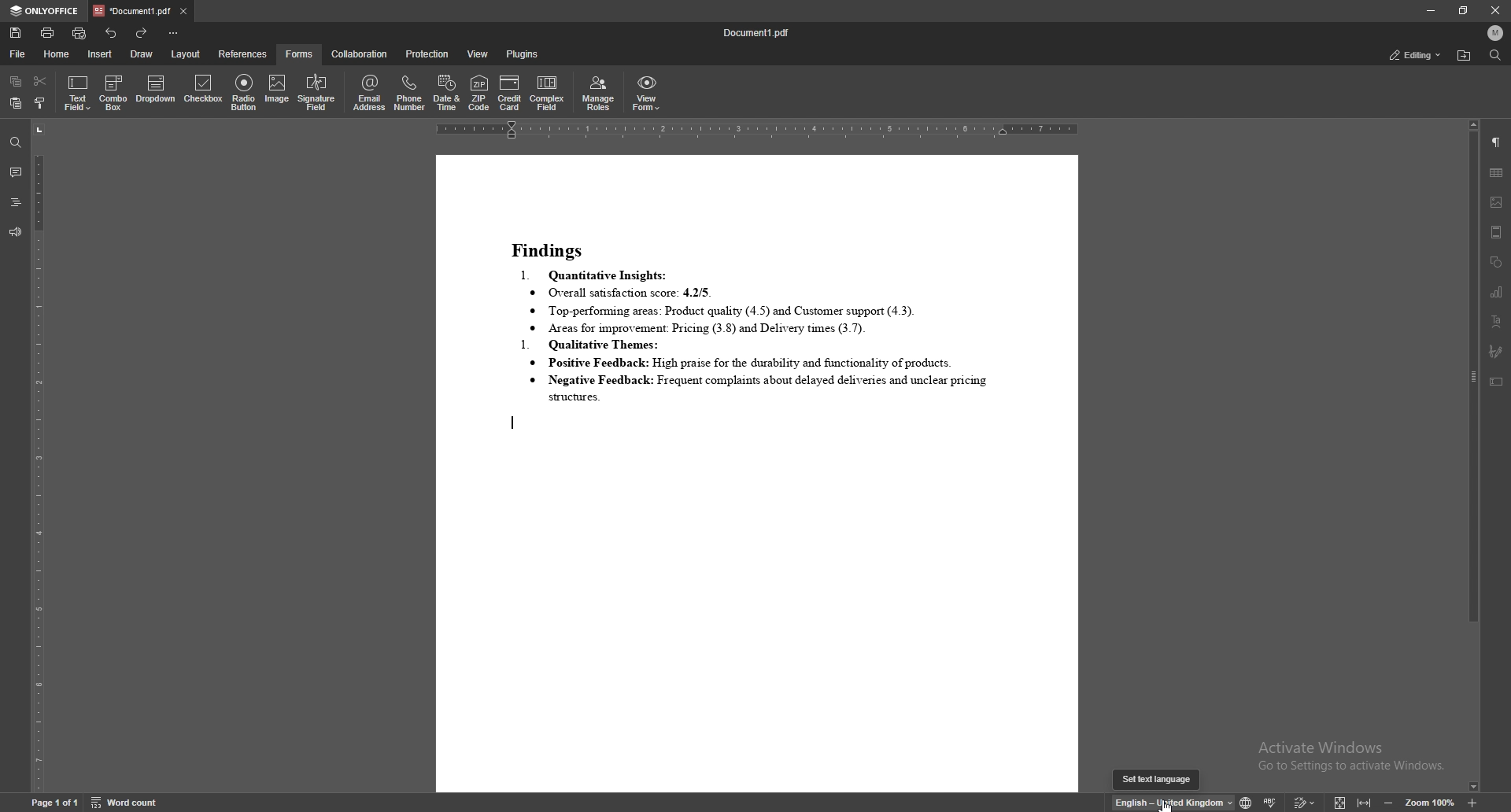 Image resolution: width=1511 pixels, height=812 pixels. What do you see at coordinates (427, 54) in the screenshot?
I see `protection` at bounding box center [427, 54].